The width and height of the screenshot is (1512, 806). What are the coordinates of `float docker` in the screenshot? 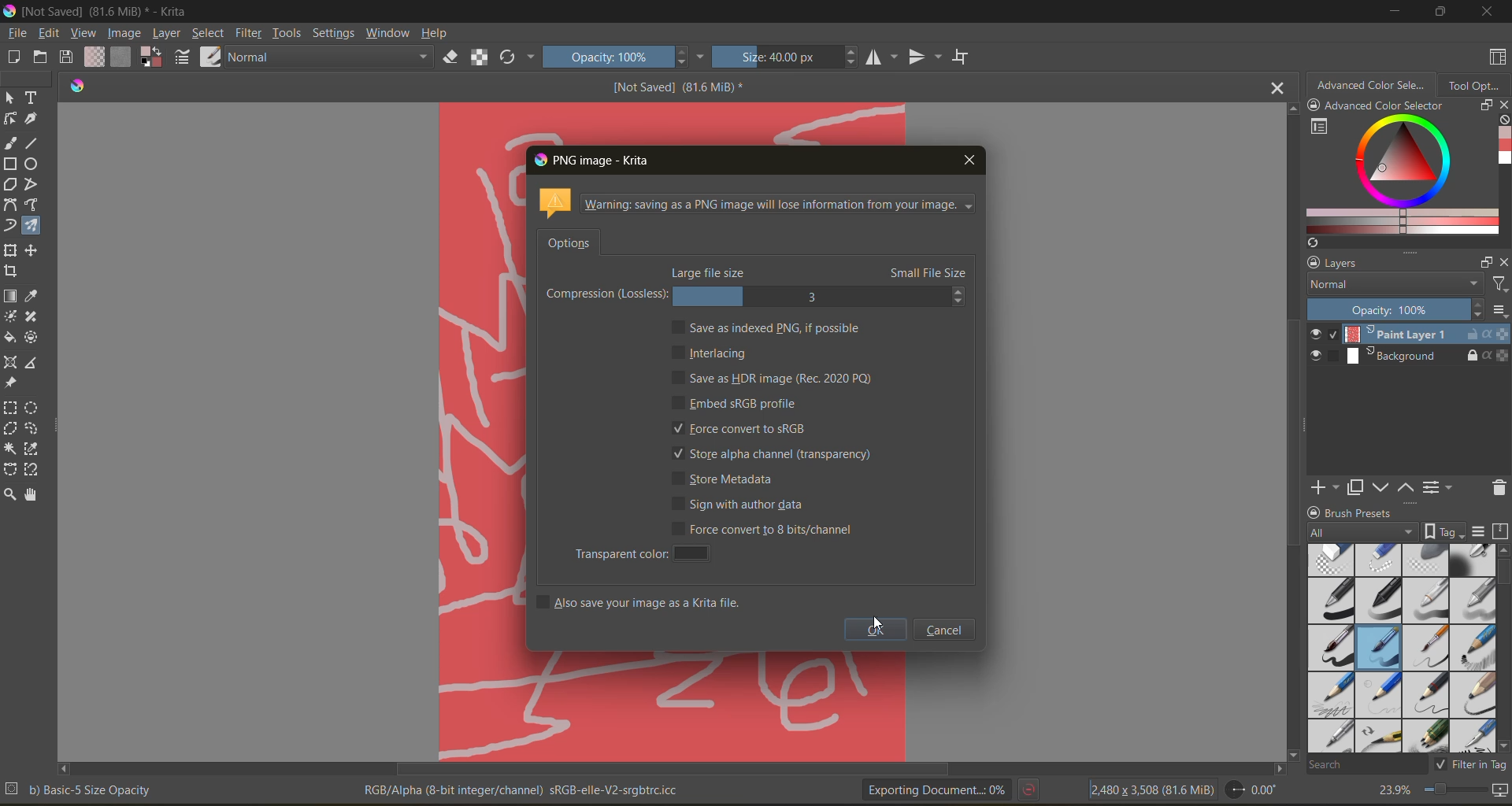 It's located at (1484, 105).